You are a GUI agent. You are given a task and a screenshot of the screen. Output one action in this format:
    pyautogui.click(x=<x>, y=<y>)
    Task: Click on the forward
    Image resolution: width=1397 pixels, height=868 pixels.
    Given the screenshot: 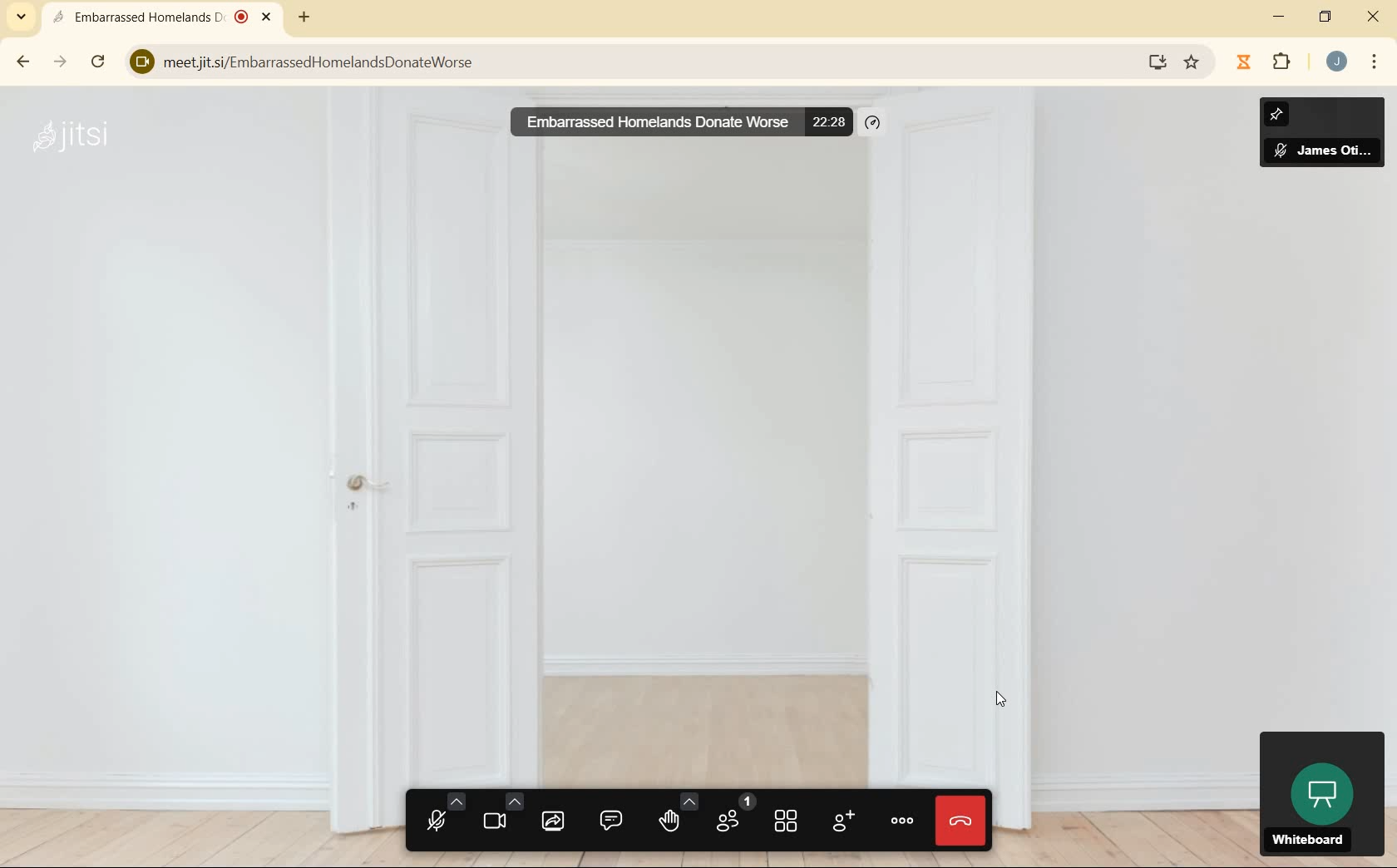 What is the action you would take?
    pyautogui.click(x=61, y=63)
    